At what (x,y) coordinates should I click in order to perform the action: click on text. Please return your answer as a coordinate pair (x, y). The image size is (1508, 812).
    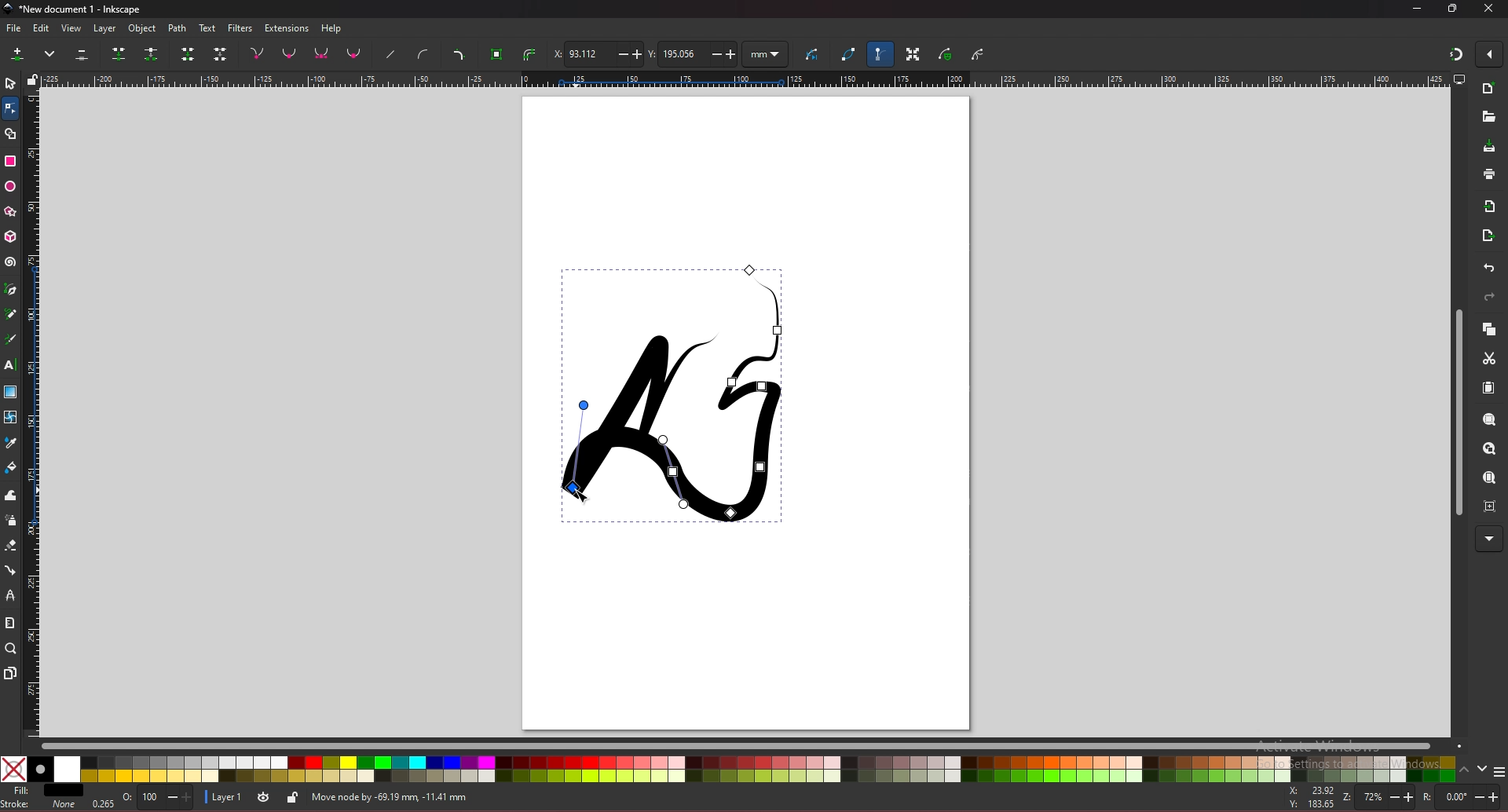
    Looking at the image, I should click on (207, 27).